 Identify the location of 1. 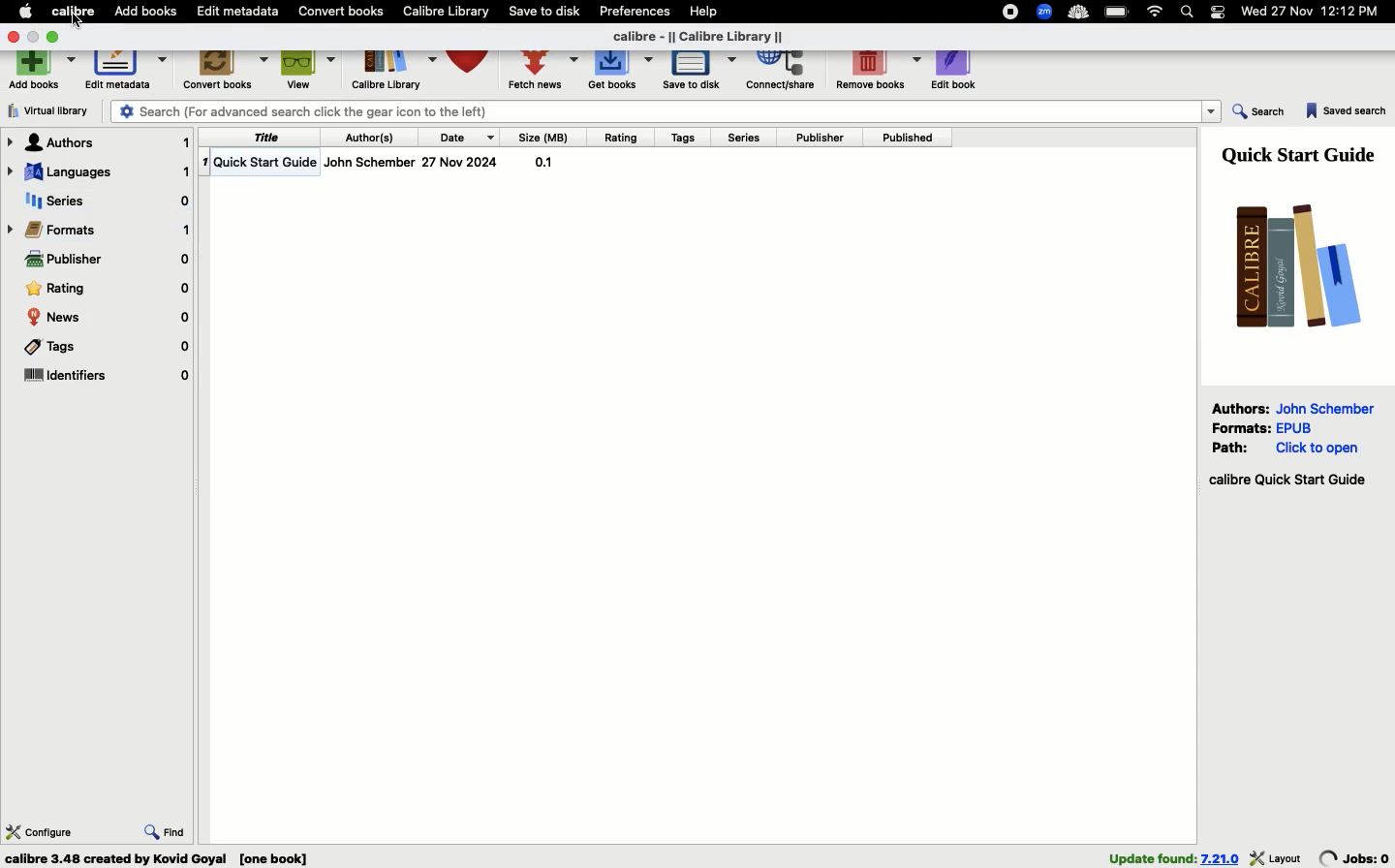
(204, 159).